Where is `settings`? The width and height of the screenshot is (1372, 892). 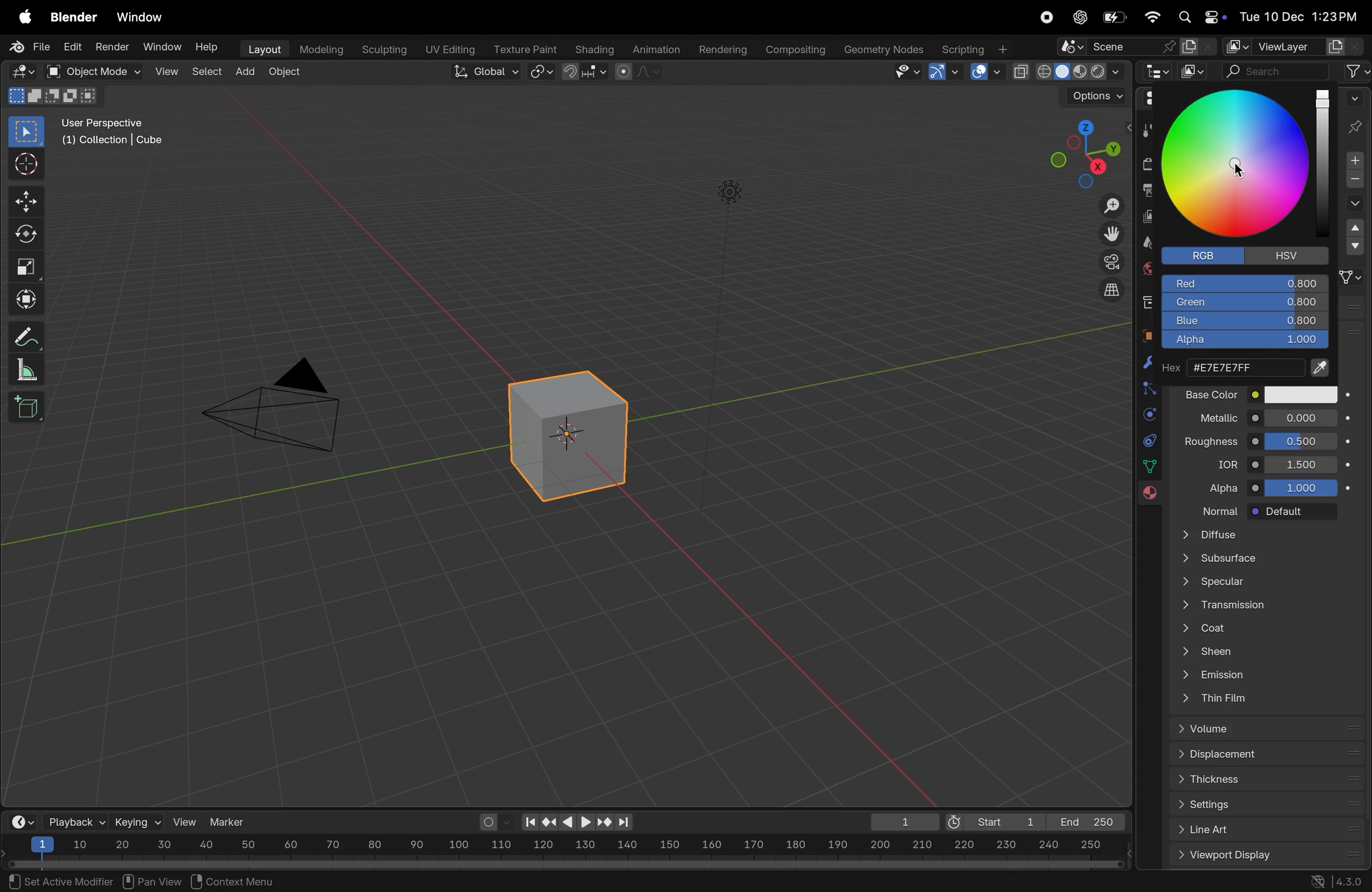 settings is located at coordinates (1272, 806).